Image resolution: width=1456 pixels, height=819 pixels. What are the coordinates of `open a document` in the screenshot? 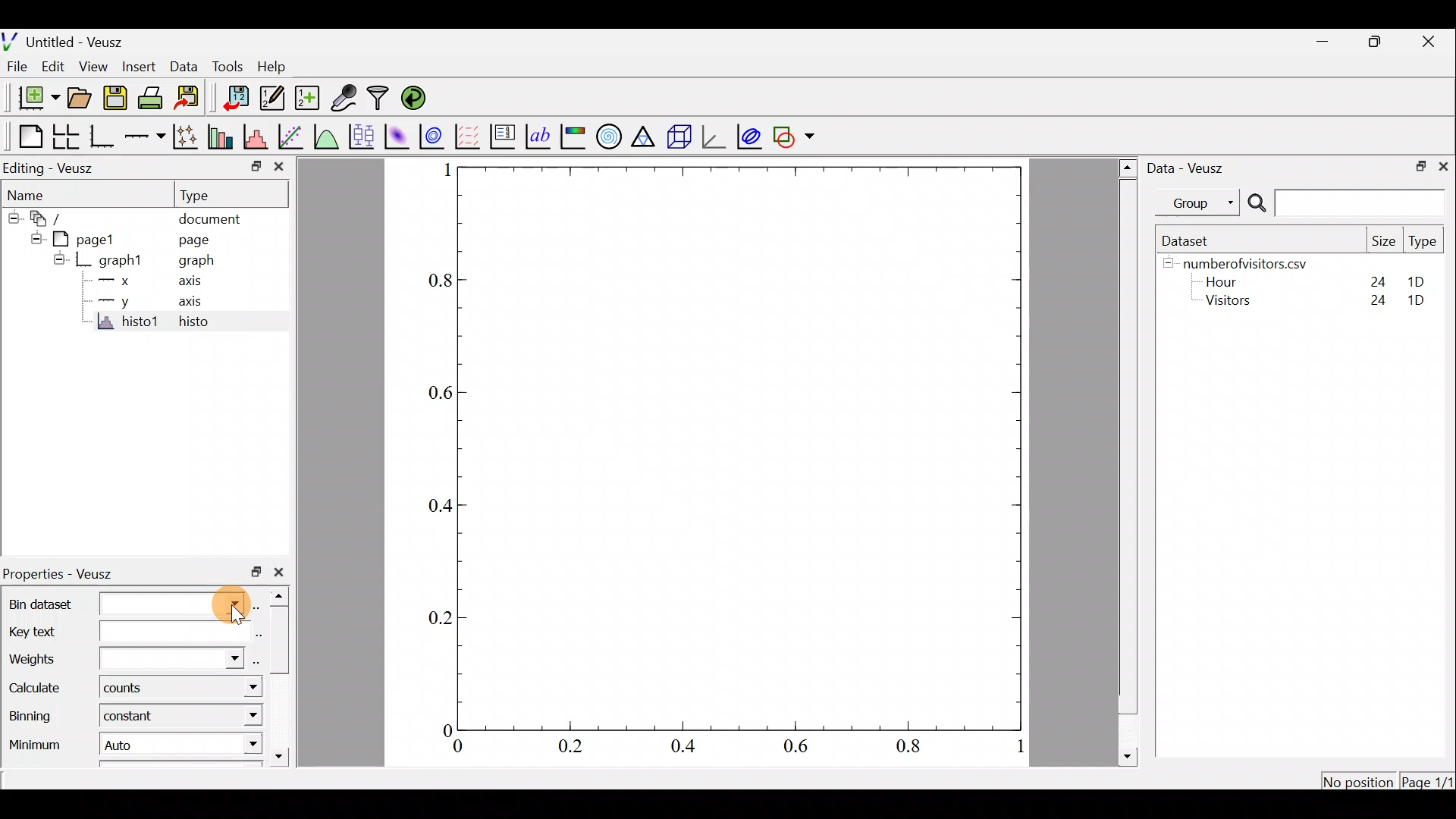 It's located at (78, 98).